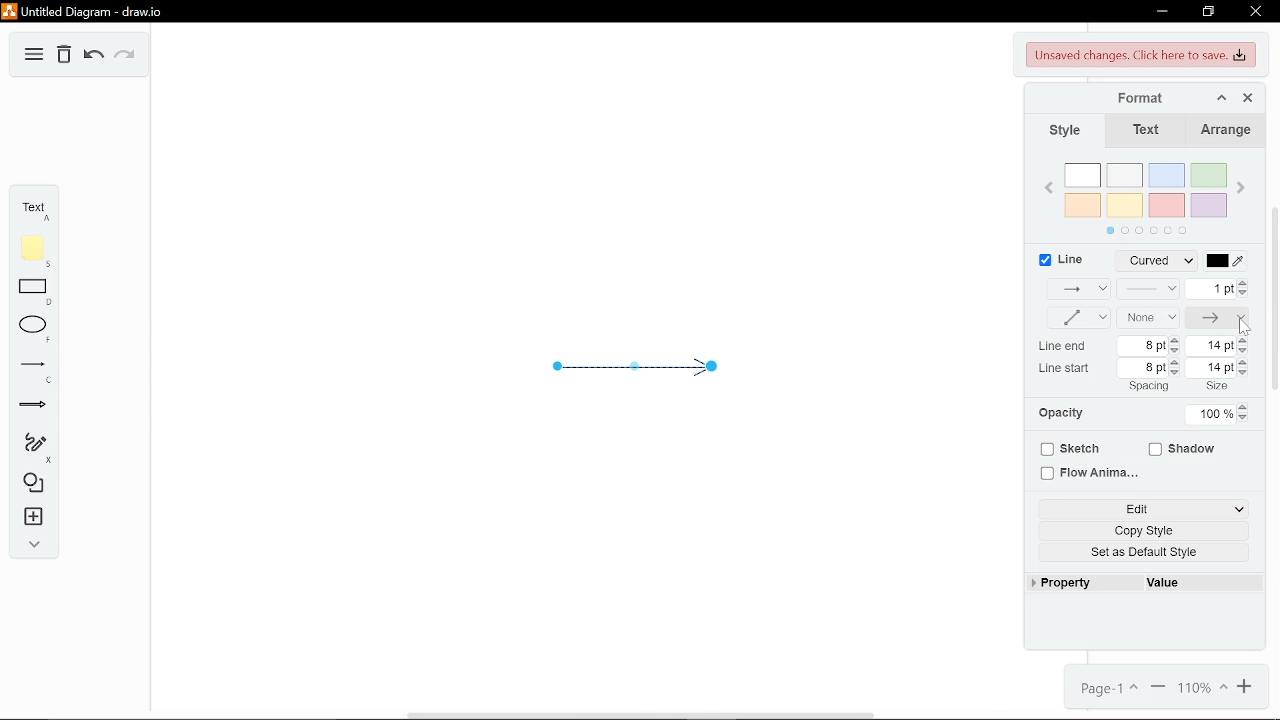  What do you see at coordinates (32, 249) in the screenshot?
I see `Note` at bounding box center [32, 249].